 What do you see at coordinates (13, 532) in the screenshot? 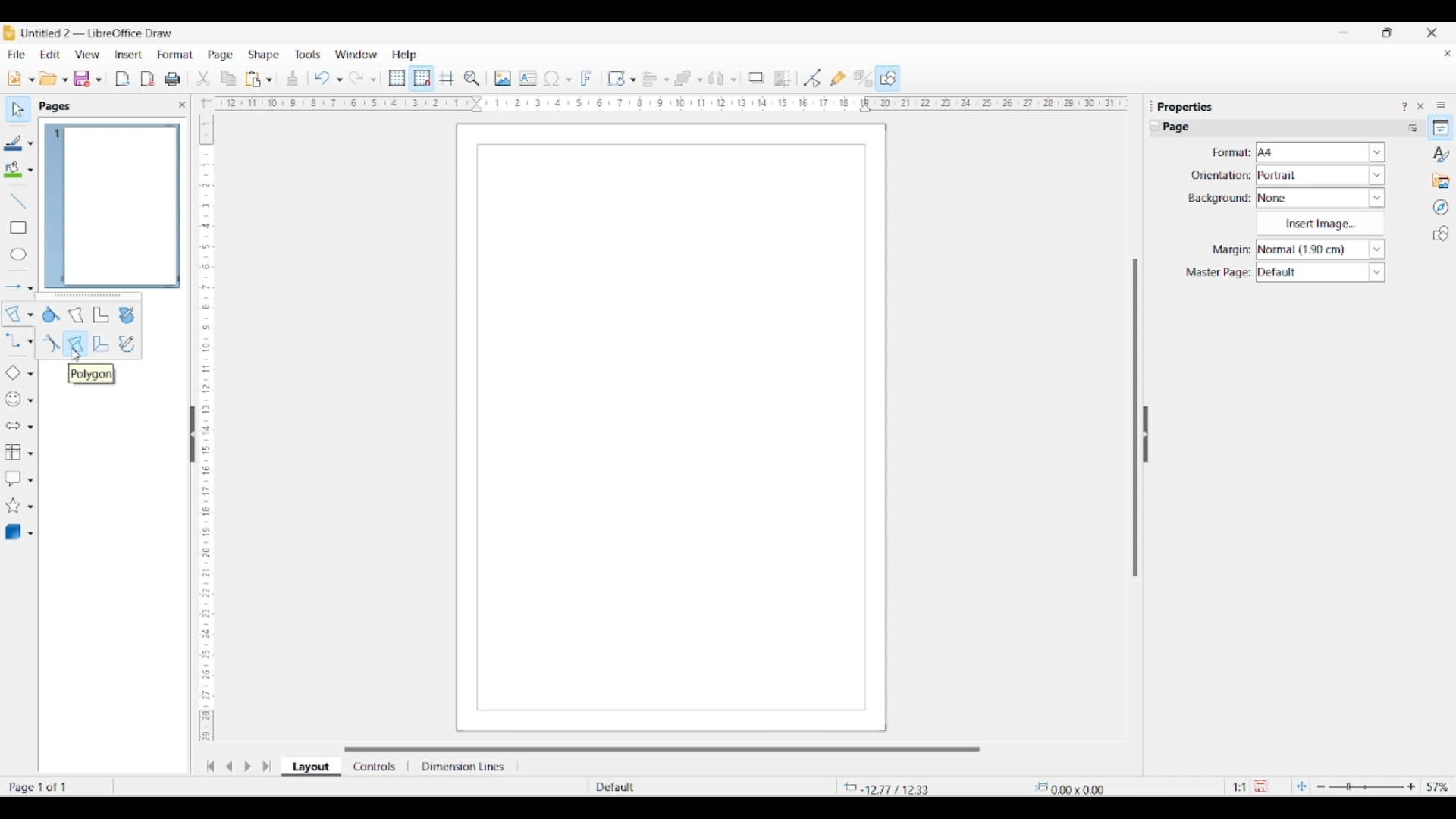
I see `Selected 3D object` at bounding box center [13, 532].